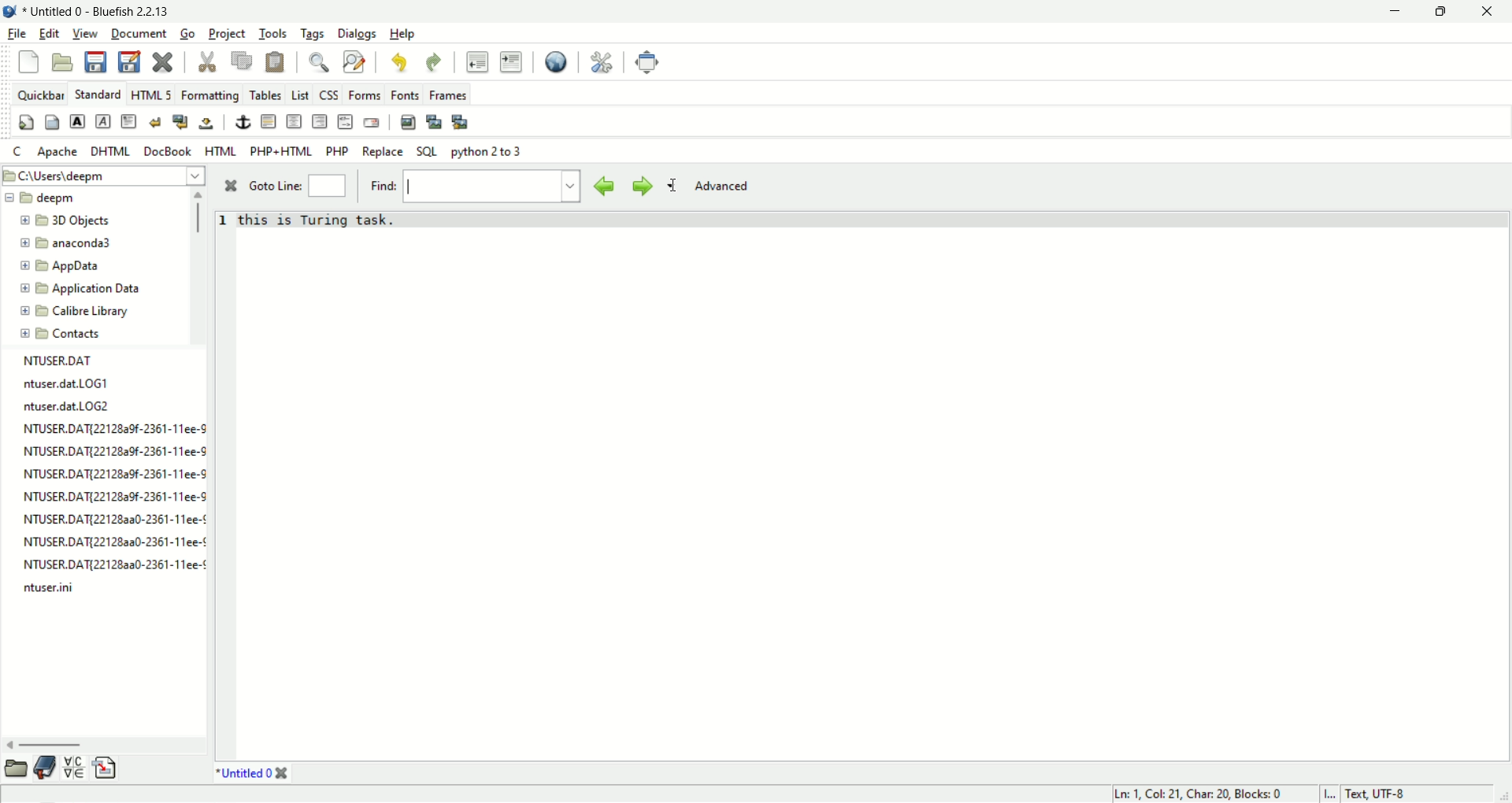  Describe the element at coordinates (319, 220) in the screenshot. I see `this is Turing task.` at that location.